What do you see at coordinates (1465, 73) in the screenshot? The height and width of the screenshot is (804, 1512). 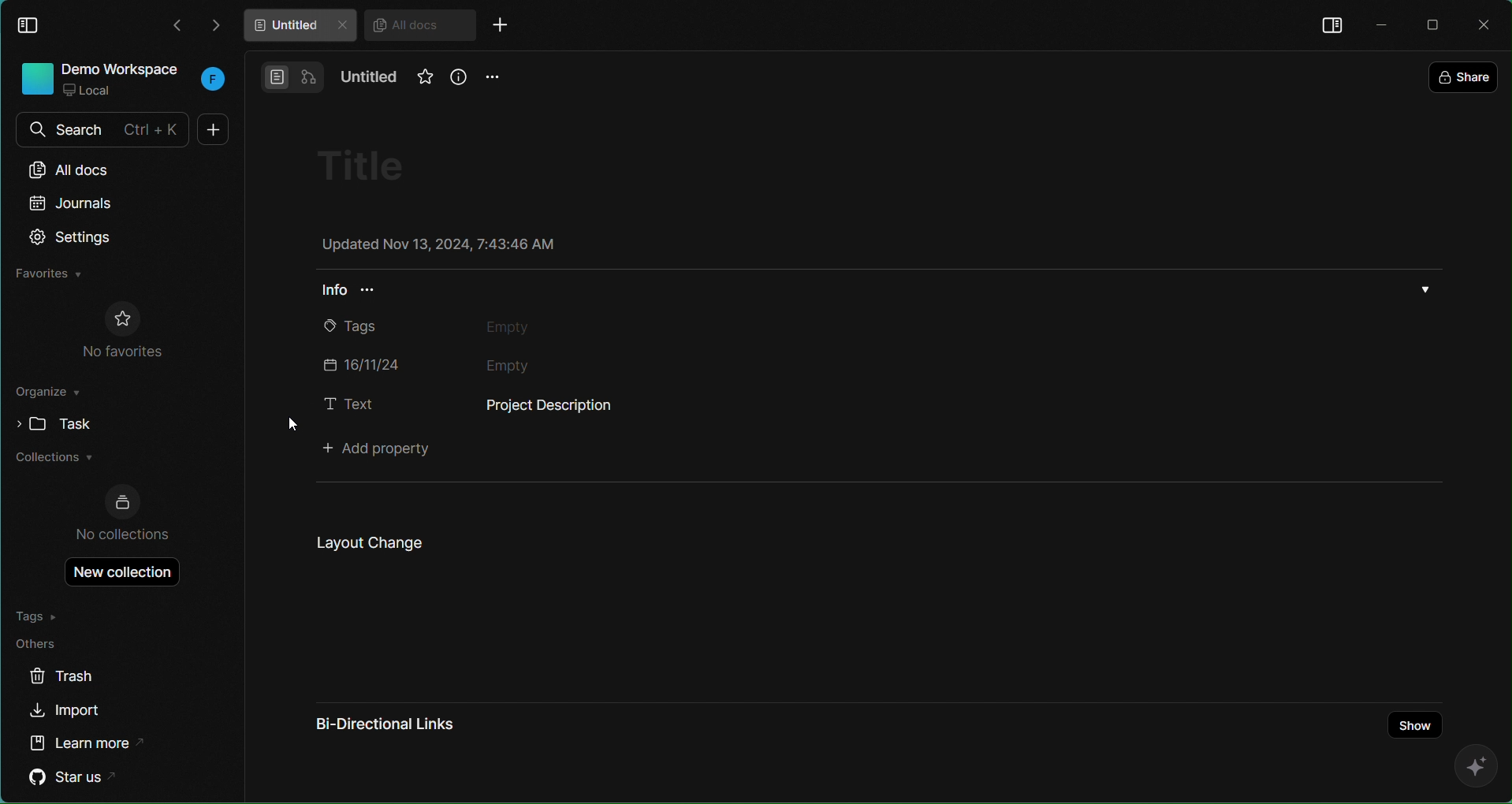 I see `share` at bounding box center [1465, 73].